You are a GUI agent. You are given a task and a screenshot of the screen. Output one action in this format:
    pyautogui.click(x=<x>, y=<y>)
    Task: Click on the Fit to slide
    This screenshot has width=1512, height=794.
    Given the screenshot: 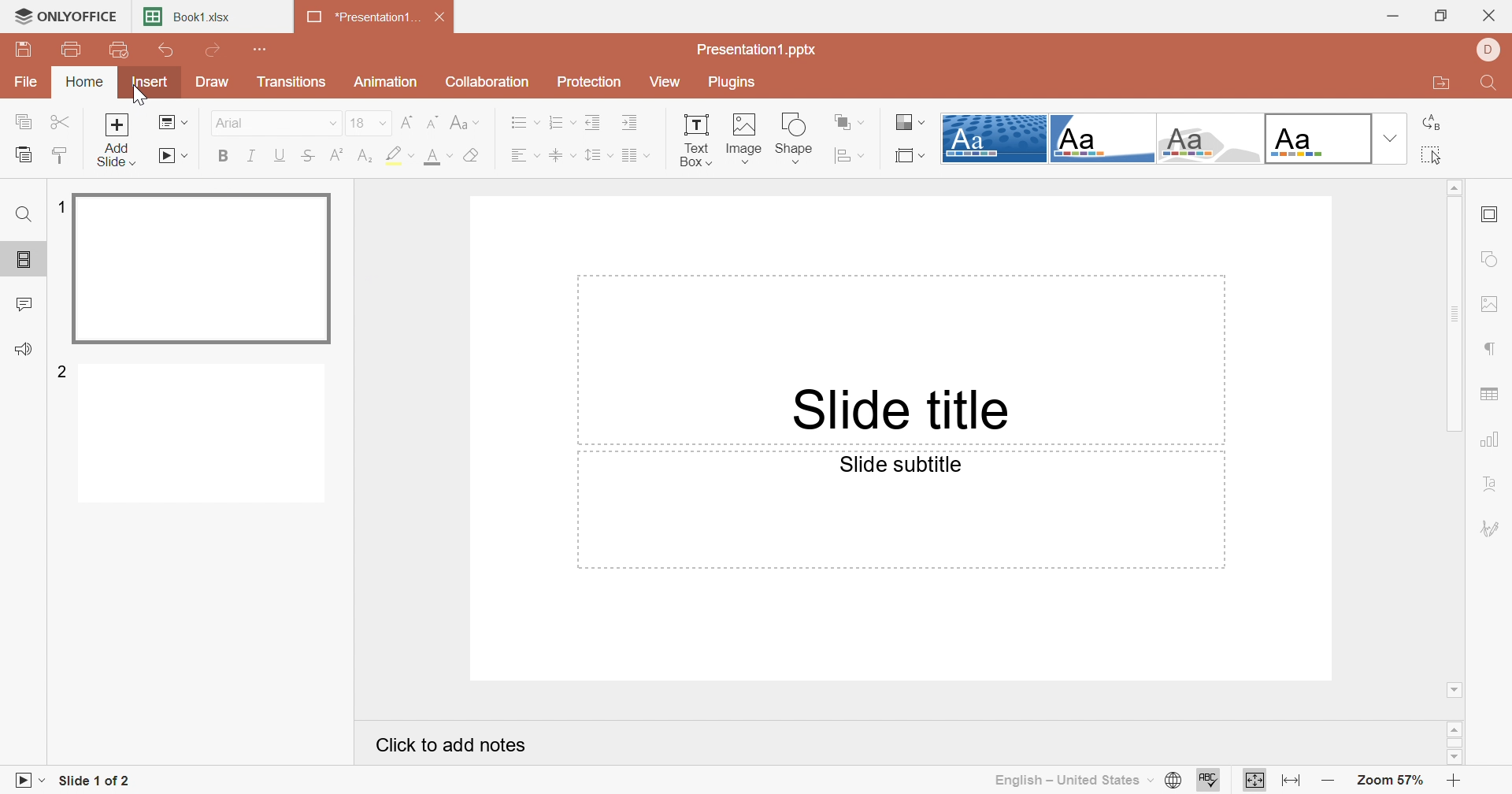 What is the action you would take?
    pyautogui.click(x=1255, y=780)
    